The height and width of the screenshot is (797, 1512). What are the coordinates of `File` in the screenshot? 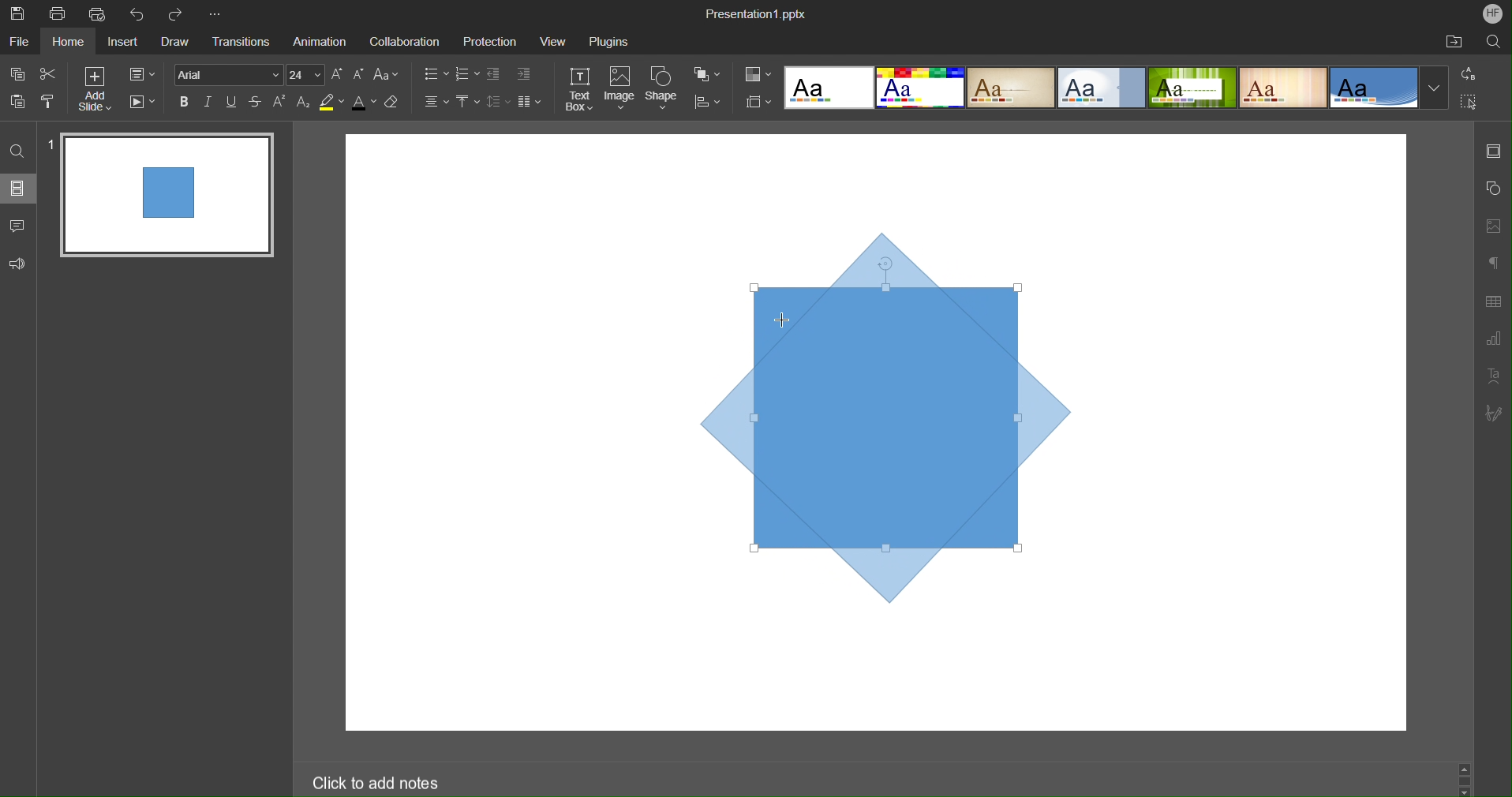 It's located at (20, 39).